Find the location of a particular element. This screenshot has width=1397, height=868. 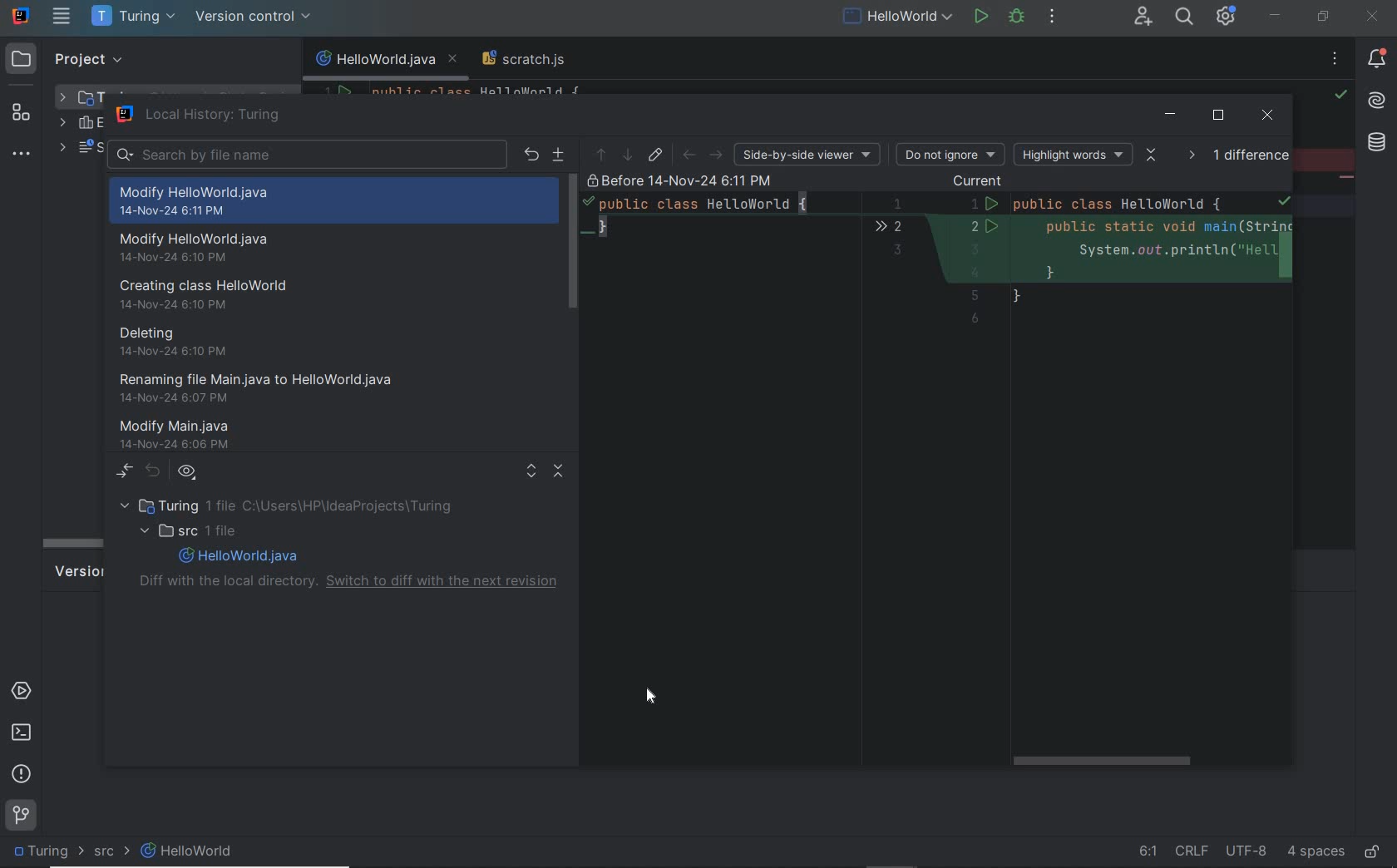

git is located at coordinates (20, 816).